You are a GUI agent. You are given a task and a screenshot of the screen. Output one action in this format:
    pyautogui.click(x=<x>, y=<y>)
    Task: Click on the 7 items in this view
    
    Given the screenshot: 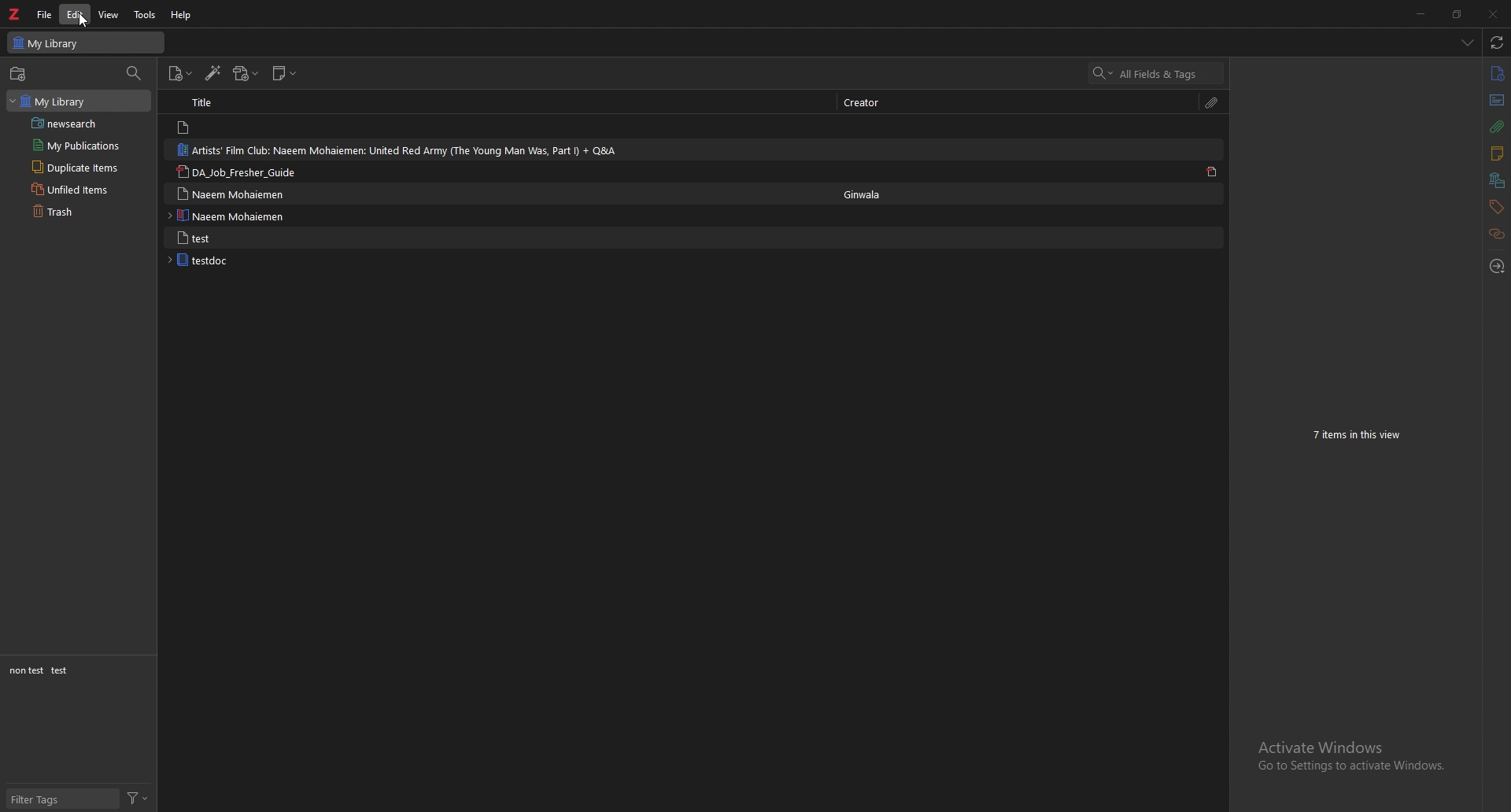 What is the action you would take?
    pyautogui.click(x=1363, y=435)
    